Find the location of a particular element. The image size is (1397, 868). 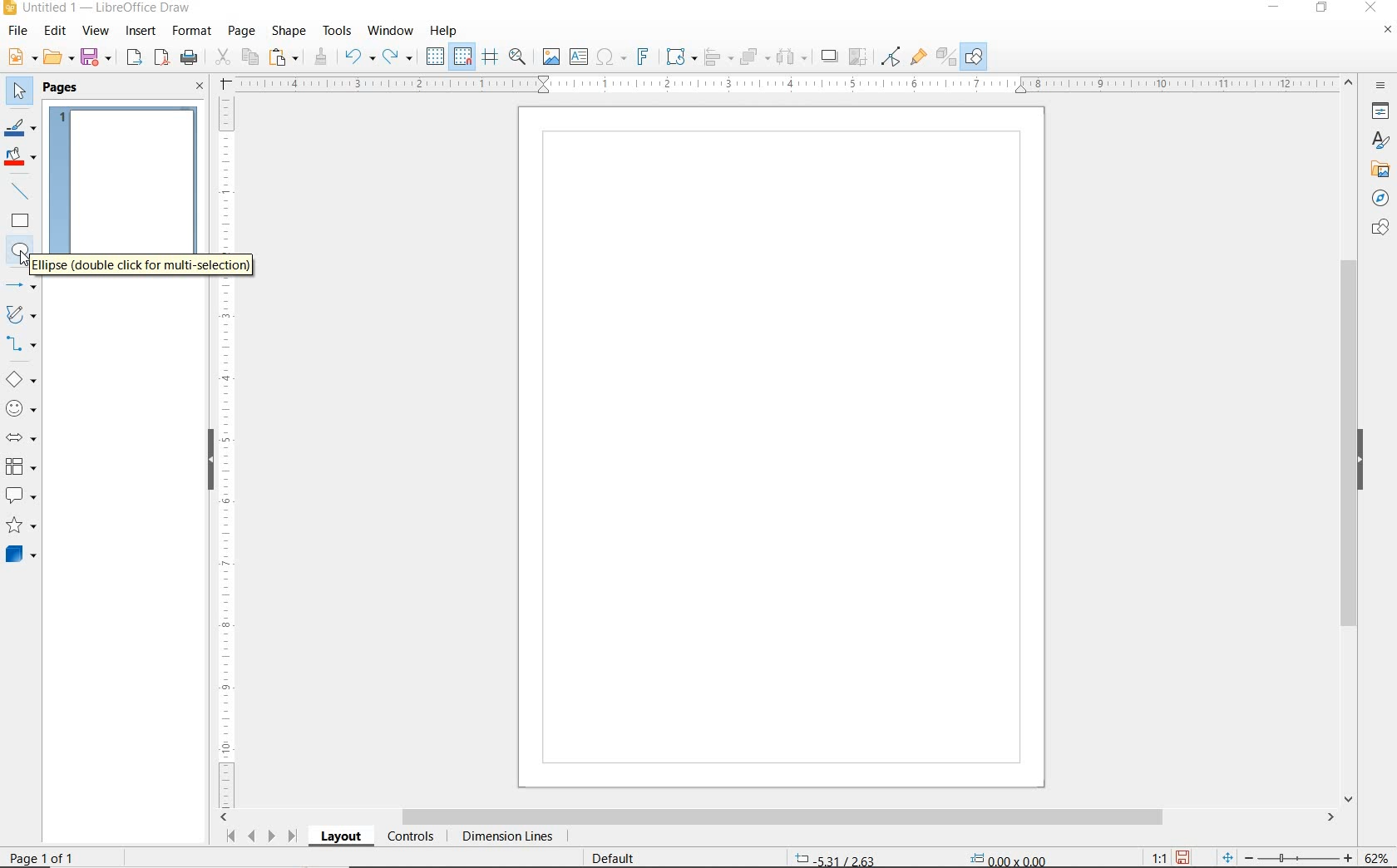

CLOSE is located at coordinates (1370, 6).